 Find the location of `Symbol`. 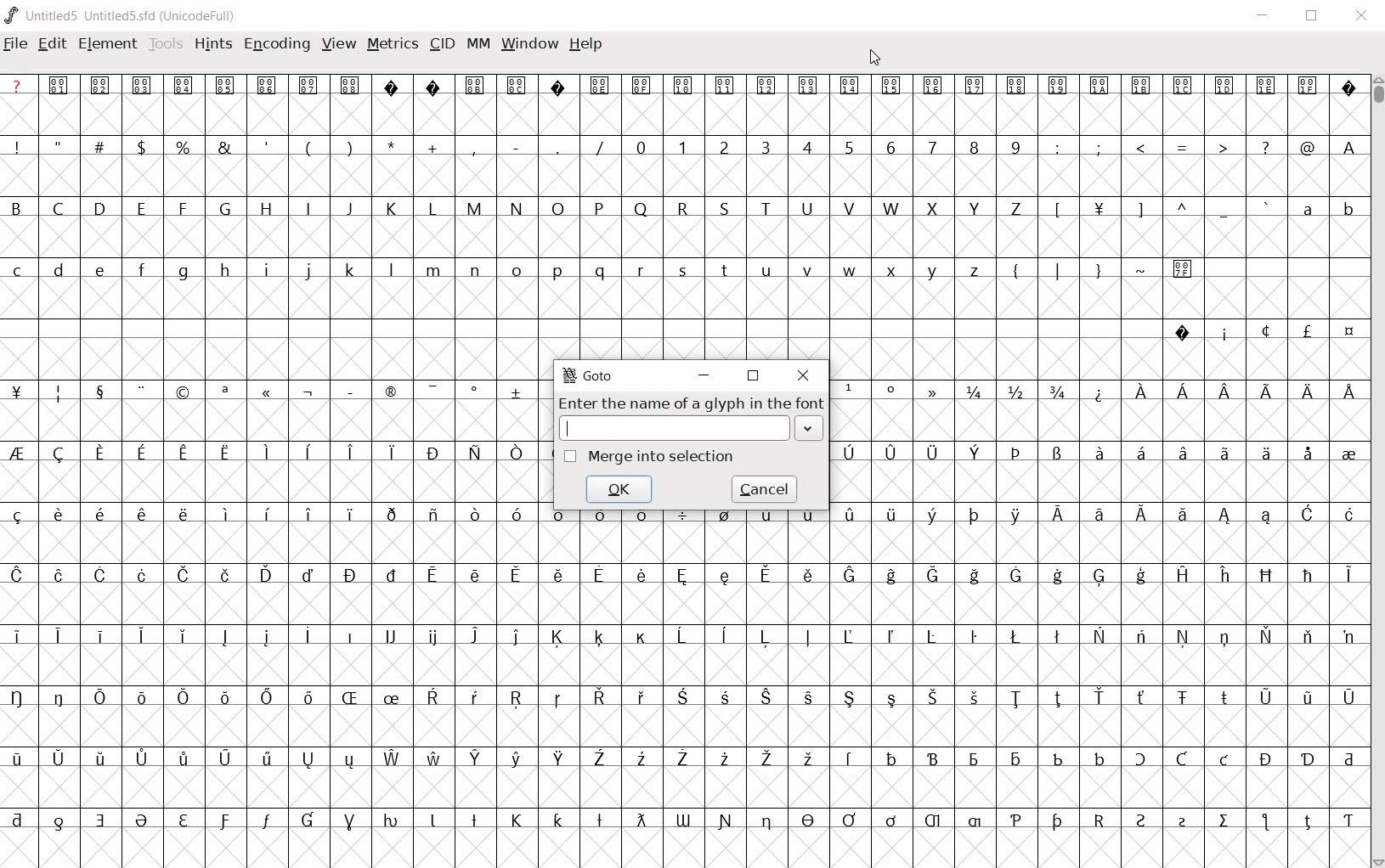

Symbol is located at coordinates (1057, 576).